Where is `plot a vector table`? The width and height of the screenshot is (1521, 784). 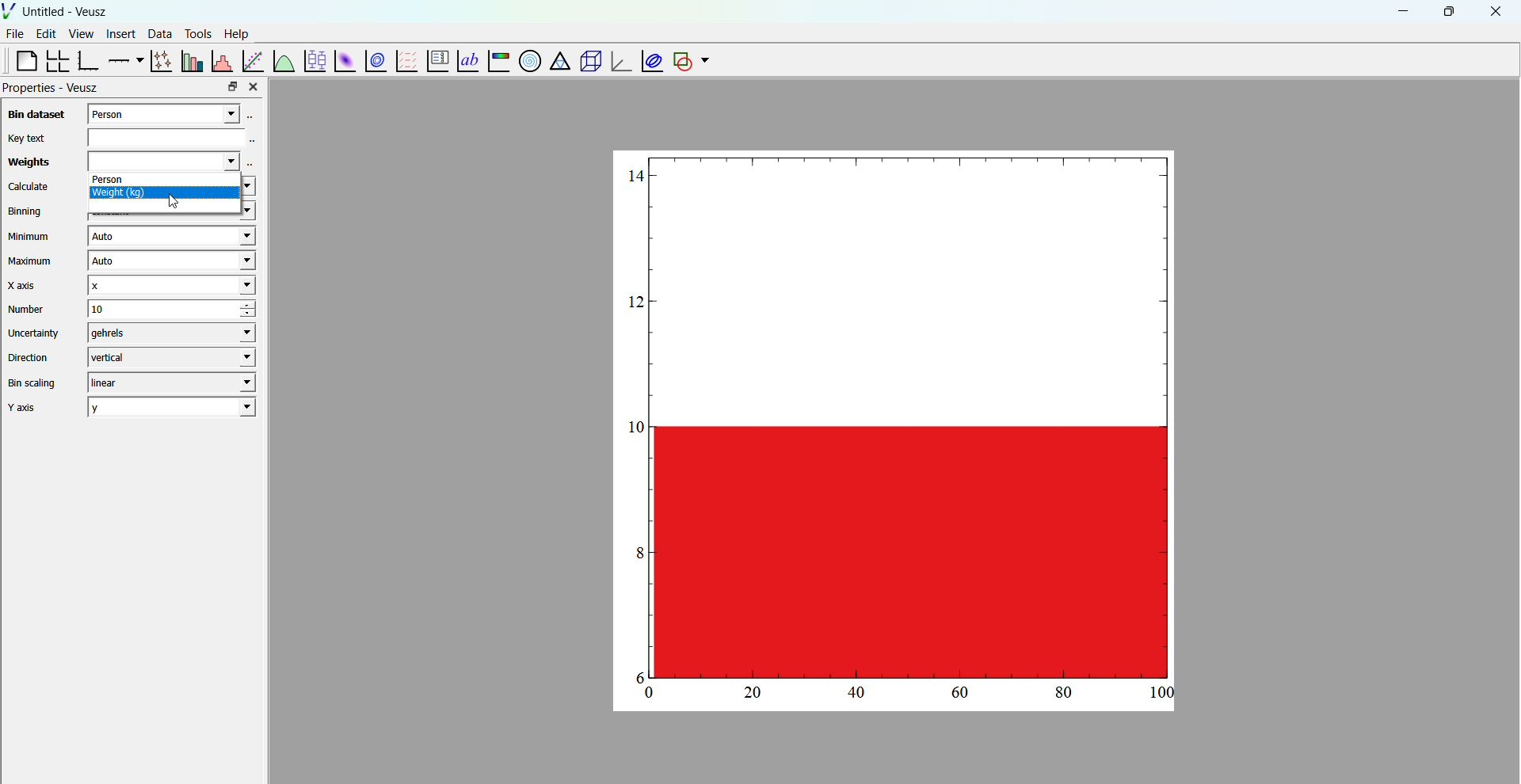 plot a vector table is located at coordinates (405, 60).